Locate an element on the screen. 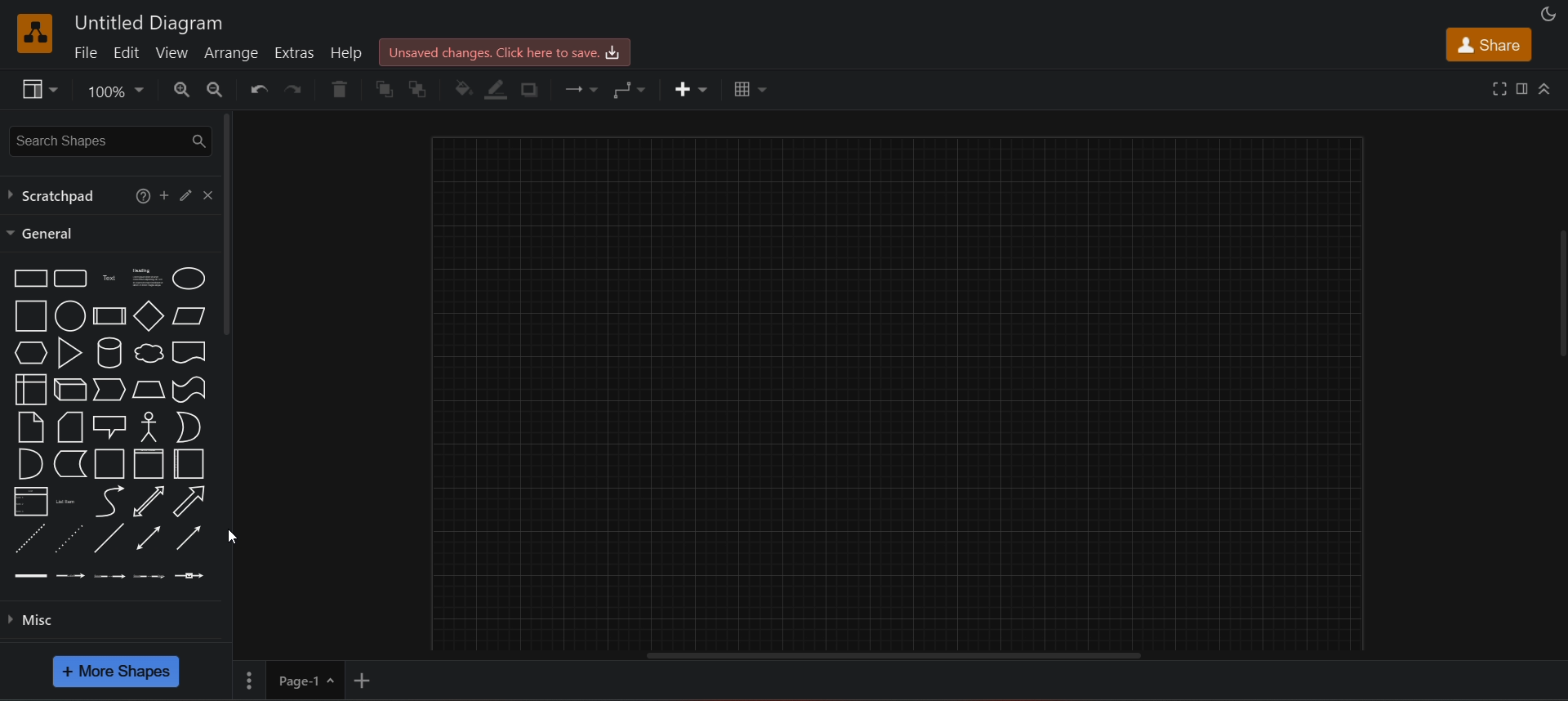 This screenshot has height=701, width=1568. zoom in is located at coordinates (180, 90).